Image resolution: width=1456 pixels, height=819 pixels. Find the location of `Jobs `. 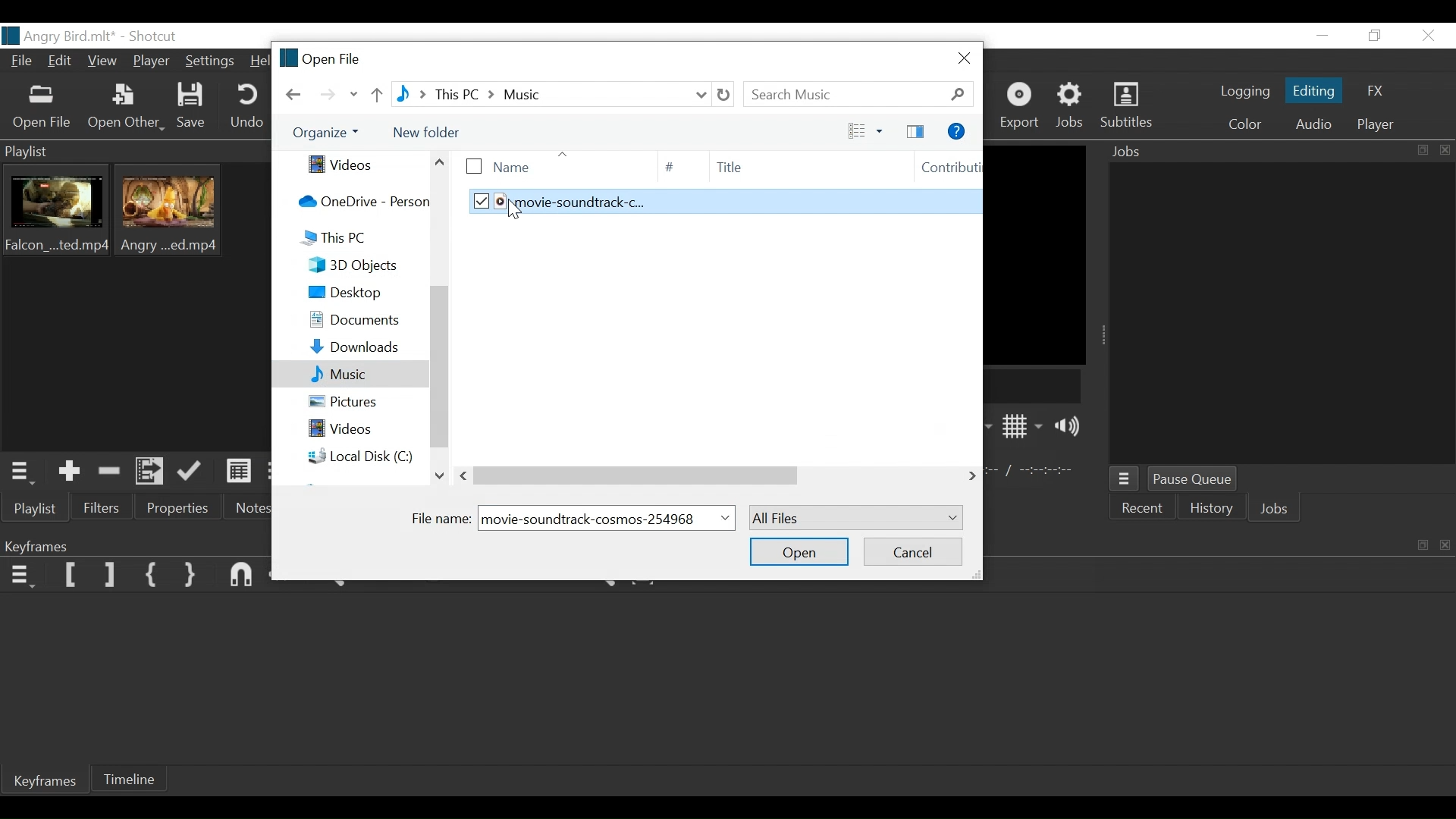

Jobs  is located at coordinates (1073, 106).